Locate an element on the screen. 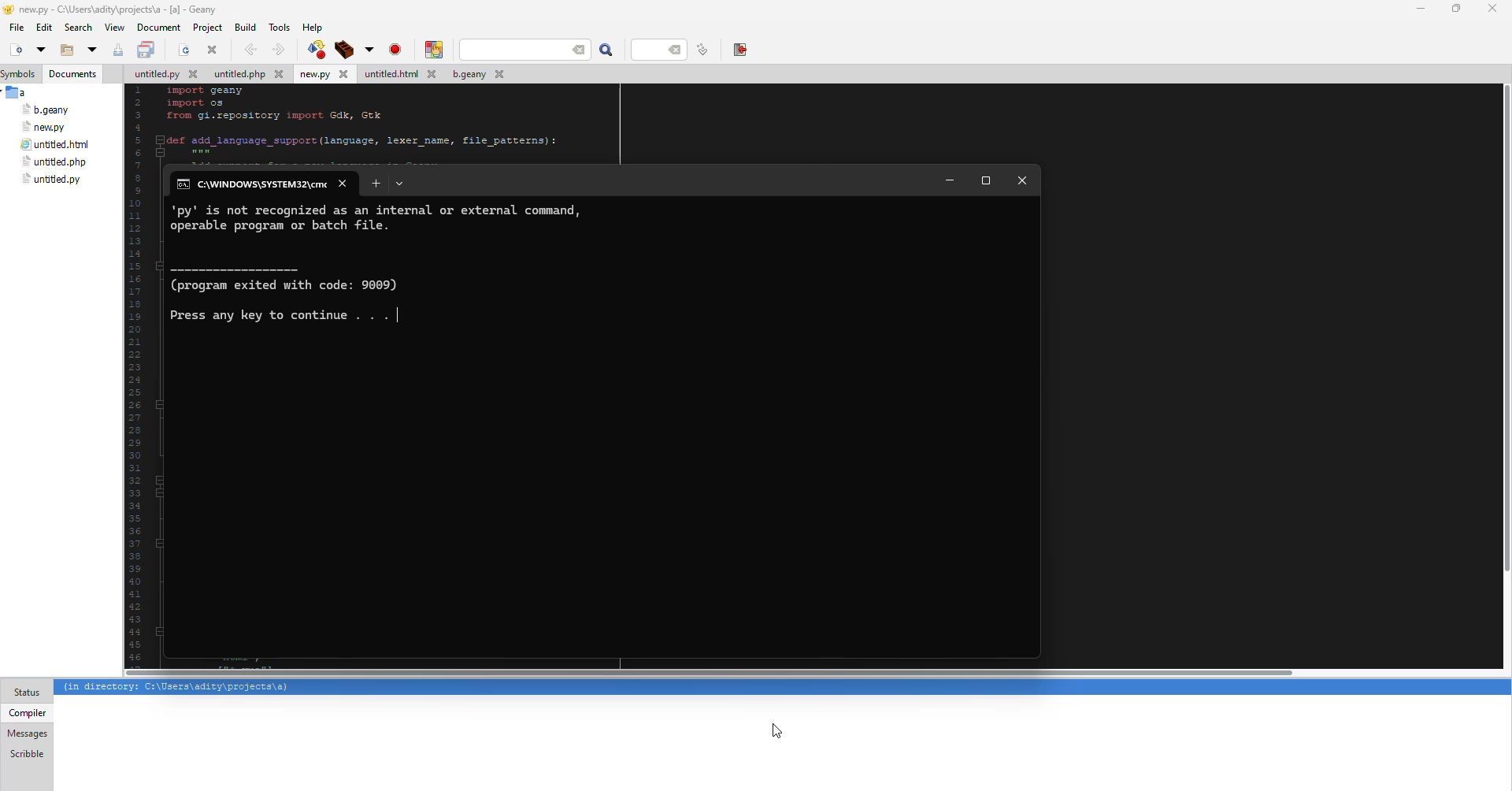 This screenshot has width=1512, height=791. open is located at coordinates (66, 51).